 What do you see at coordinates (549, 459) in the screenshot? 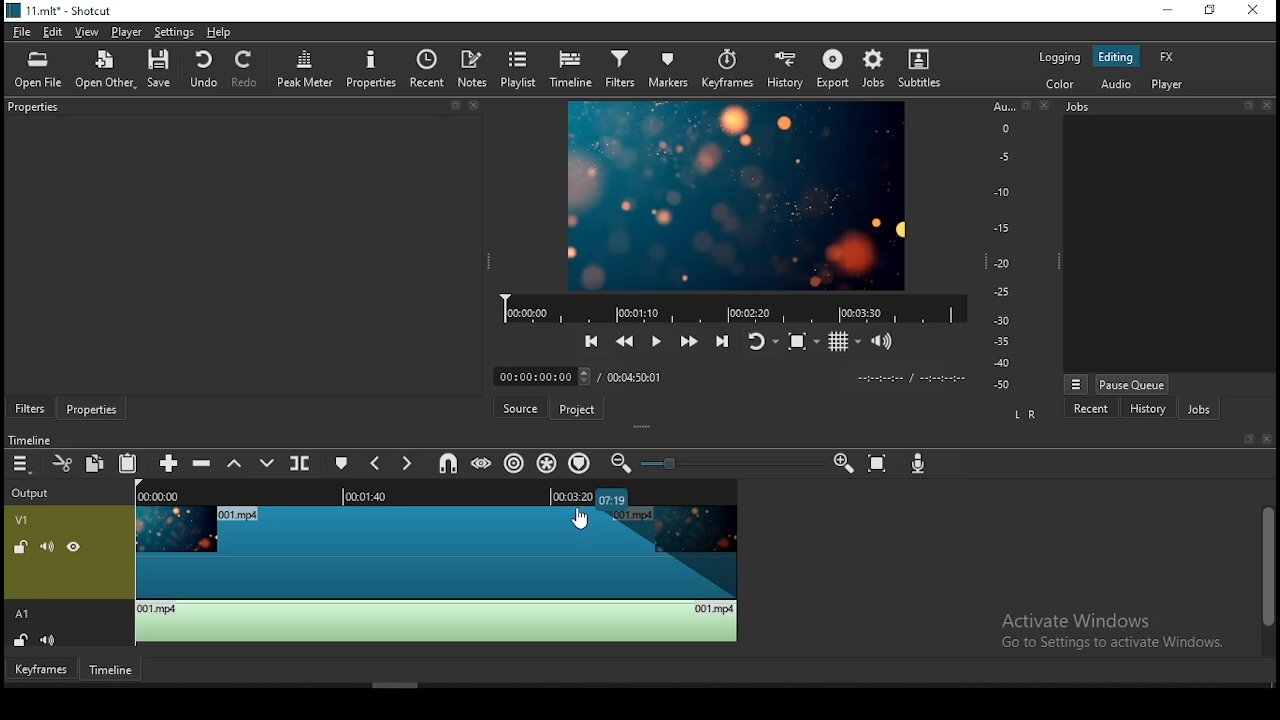
I see `ripple all tracks` at bounding box center [549, 459].